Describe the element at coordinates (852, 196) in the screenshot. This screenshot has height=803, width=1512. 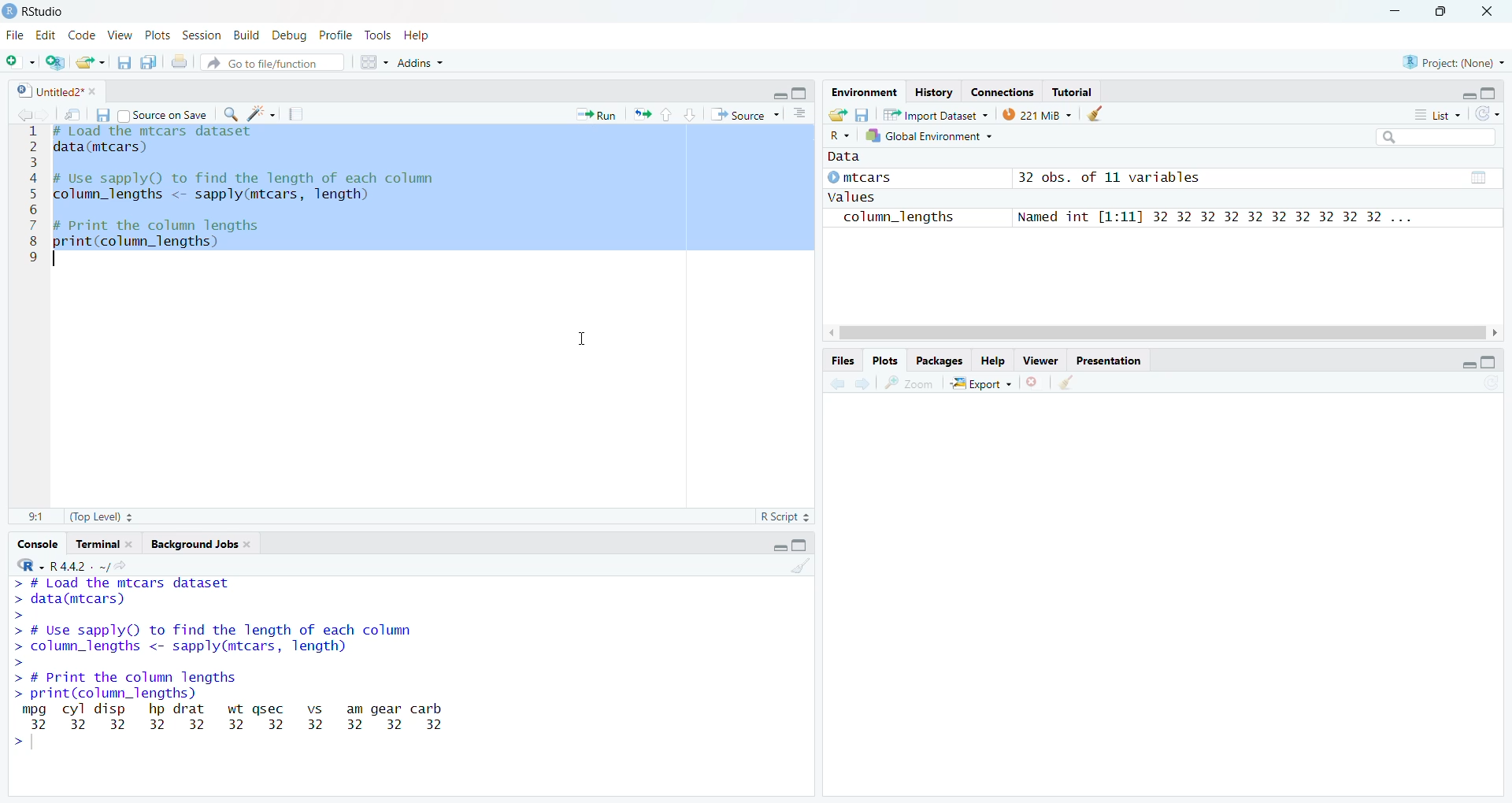
I see `values` at that location.